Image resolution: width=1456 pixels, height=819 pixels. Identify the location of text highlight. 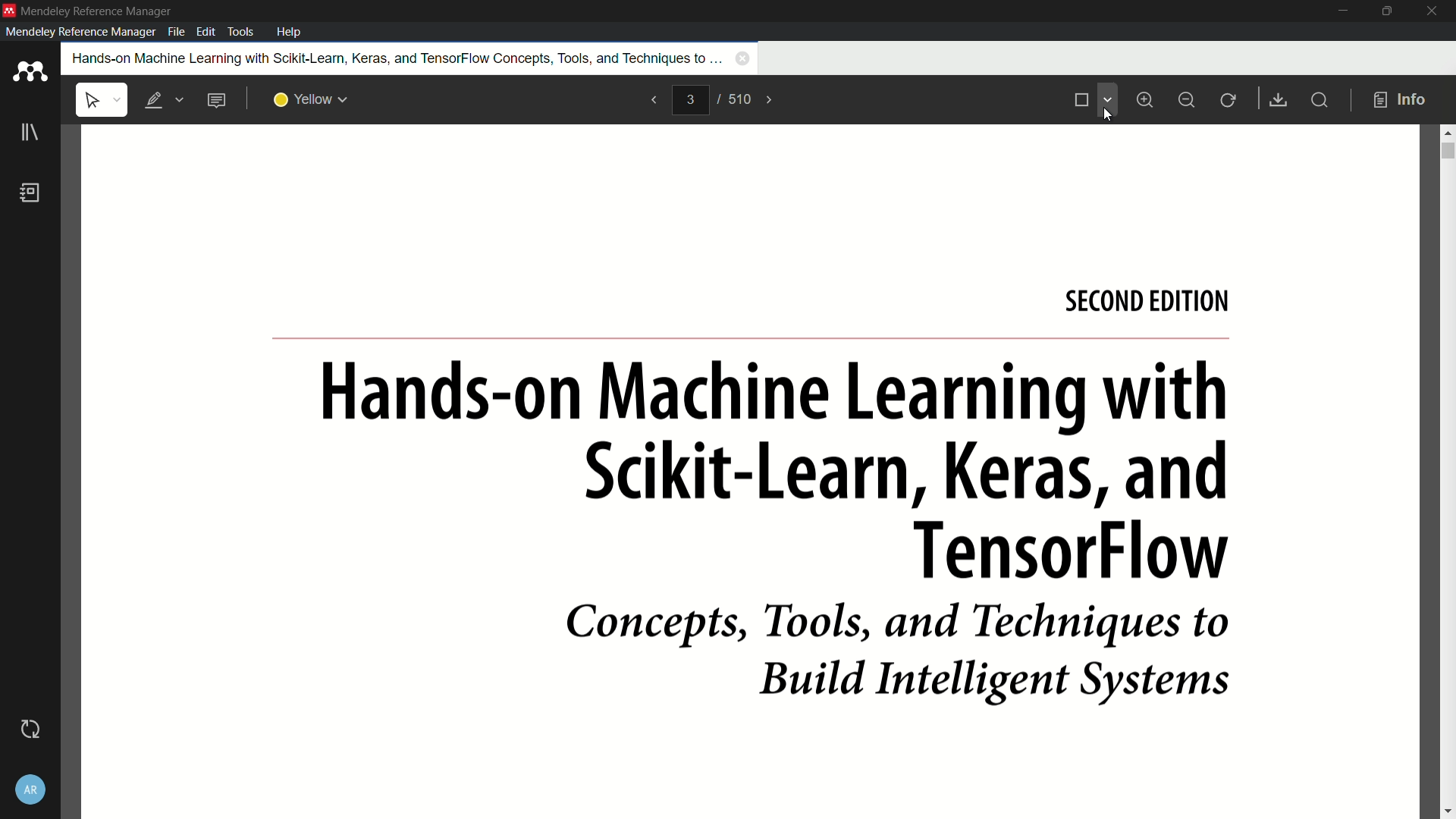
(162, 101).